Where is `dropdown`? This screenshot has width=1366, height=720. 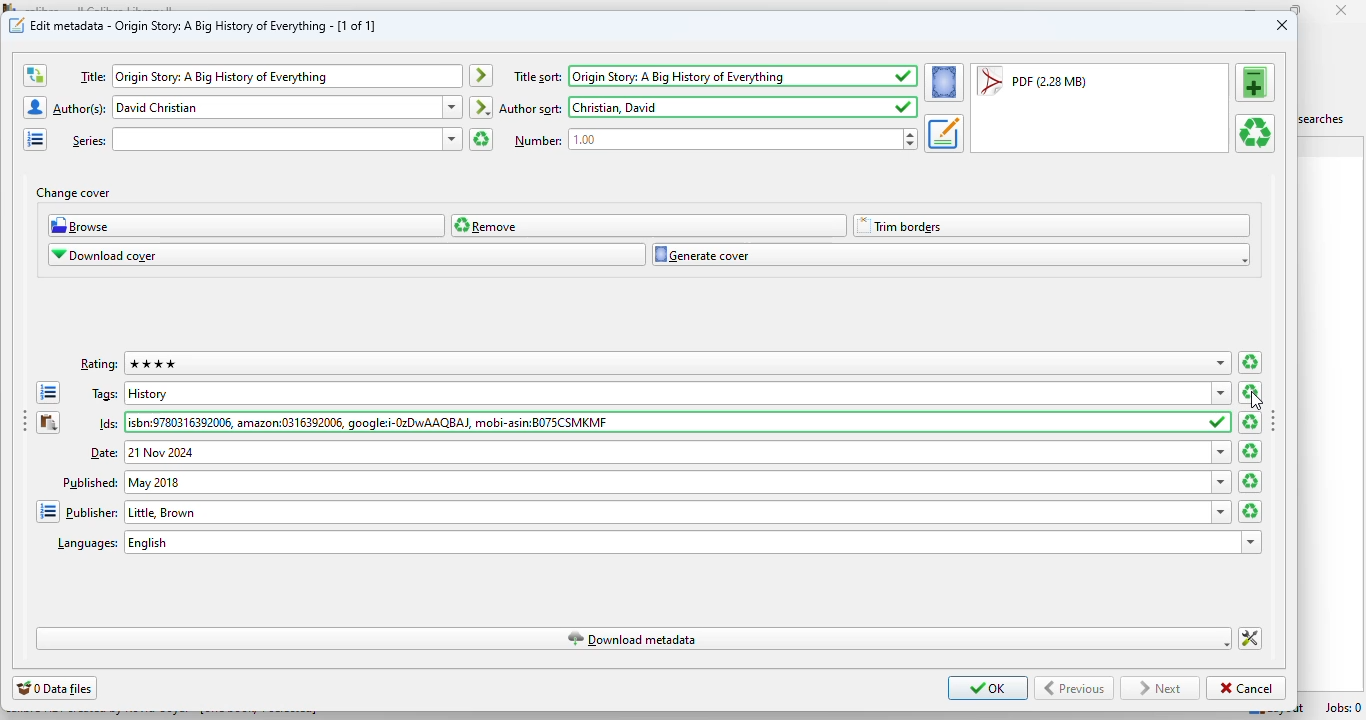 dropdown is located at coordinates (1220, 452).